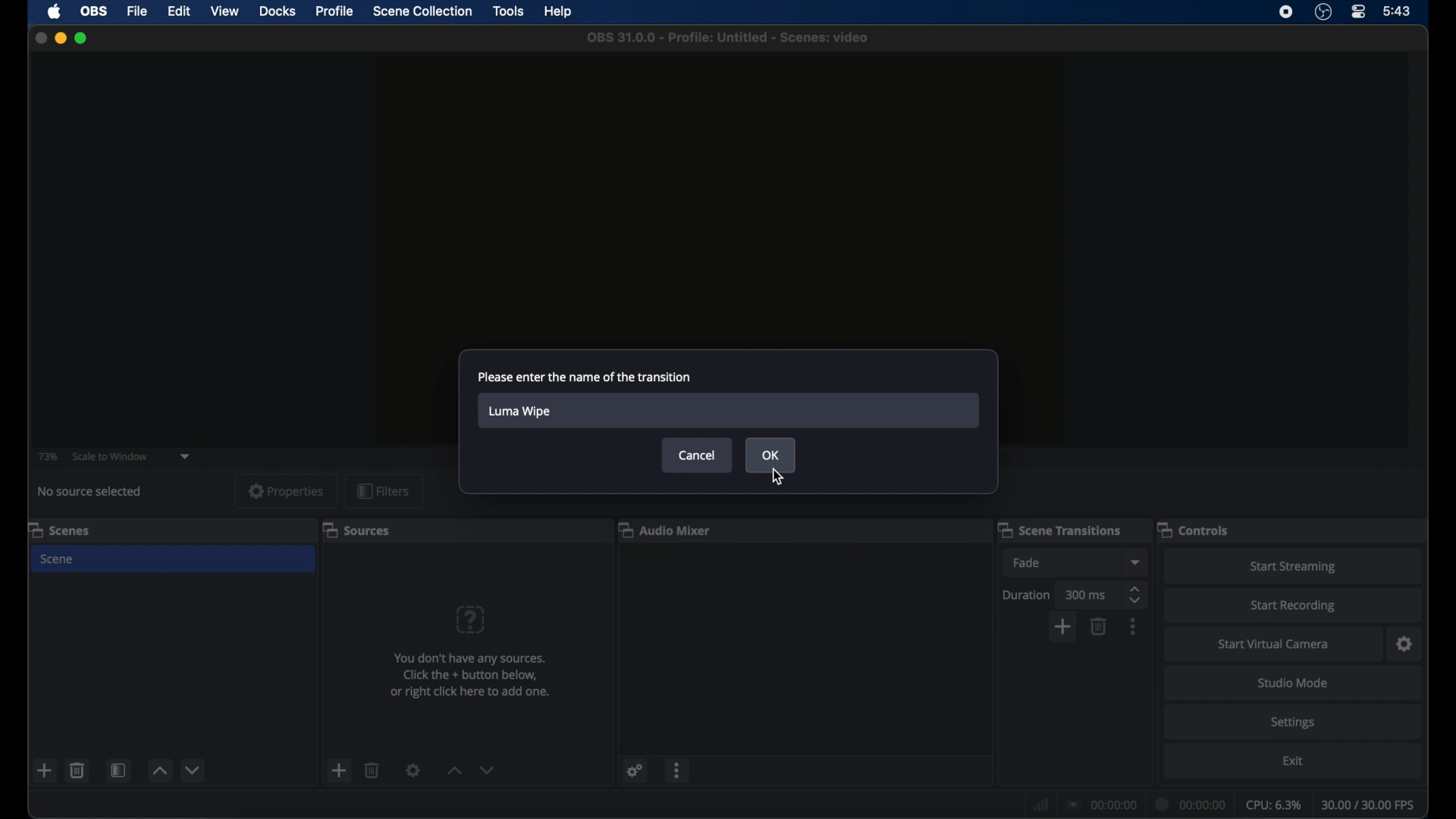  I want to click on duration, so click(1028, 594).